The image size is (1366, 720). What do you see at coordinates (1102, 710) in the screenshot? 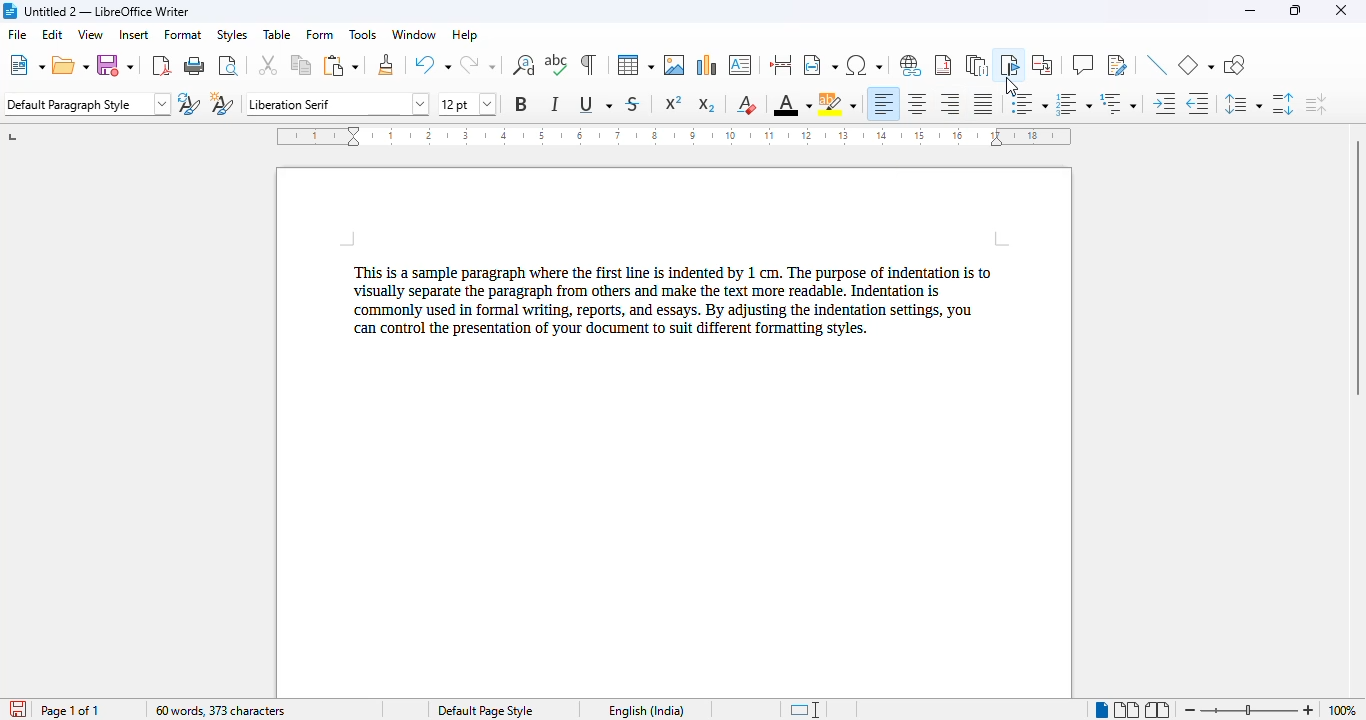
I see `single-page view` at bounding box center [1102, 710].